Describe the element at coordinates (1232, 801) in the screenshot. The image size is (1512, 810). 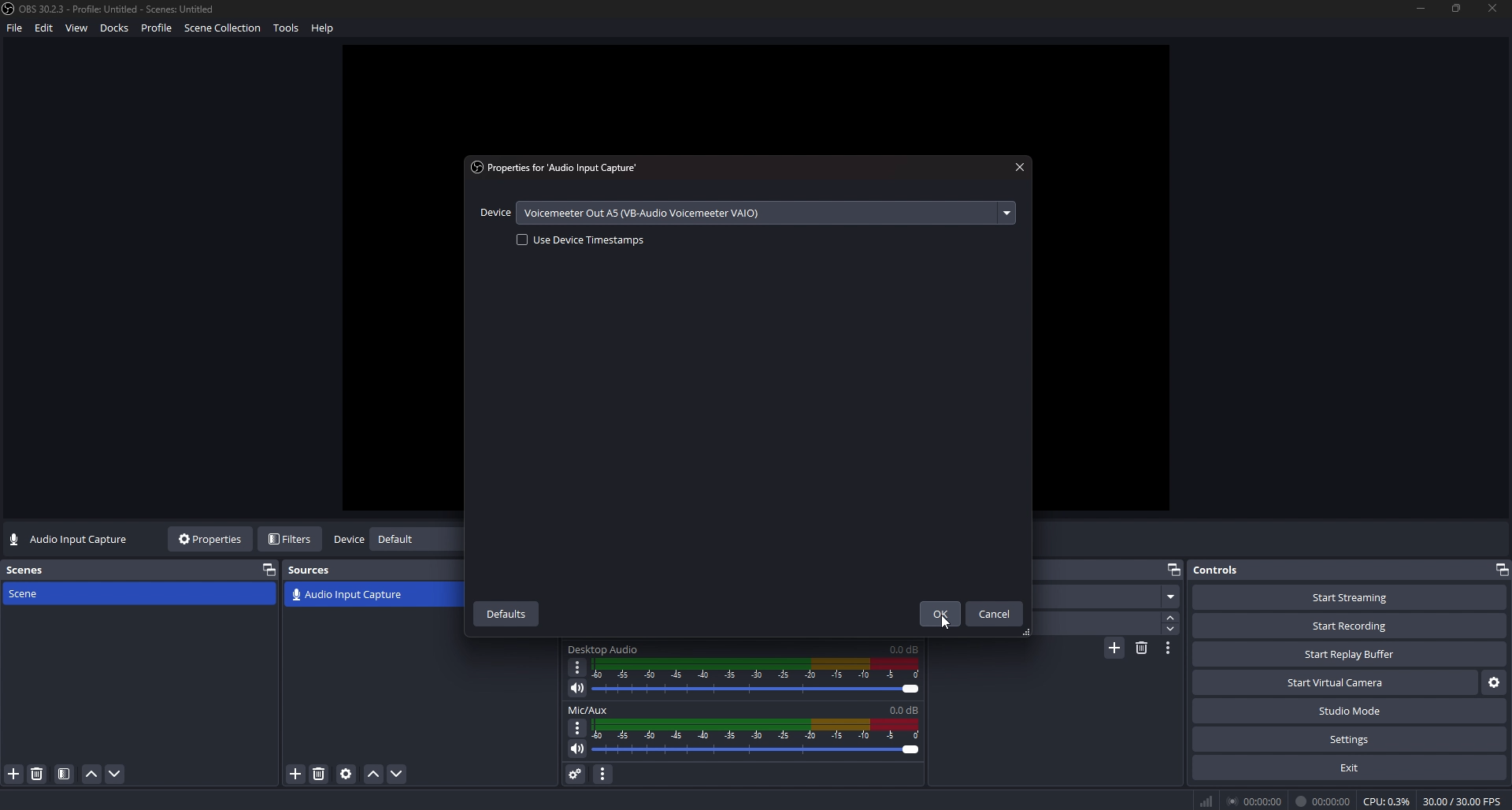
I see `` at that location.